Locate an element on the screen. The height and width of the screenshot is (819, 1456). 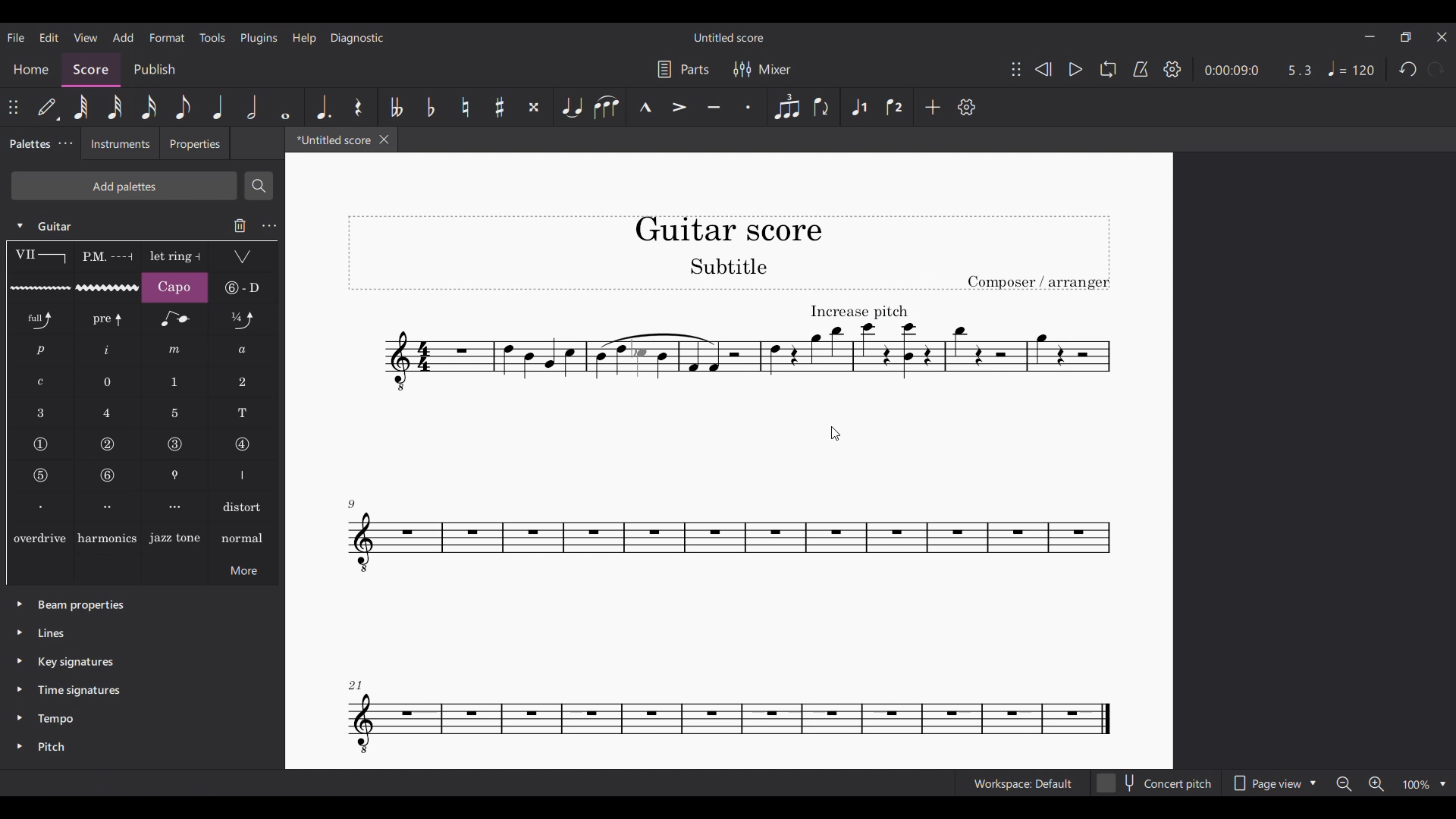
Properties tab is located at coordinates (195, 143).